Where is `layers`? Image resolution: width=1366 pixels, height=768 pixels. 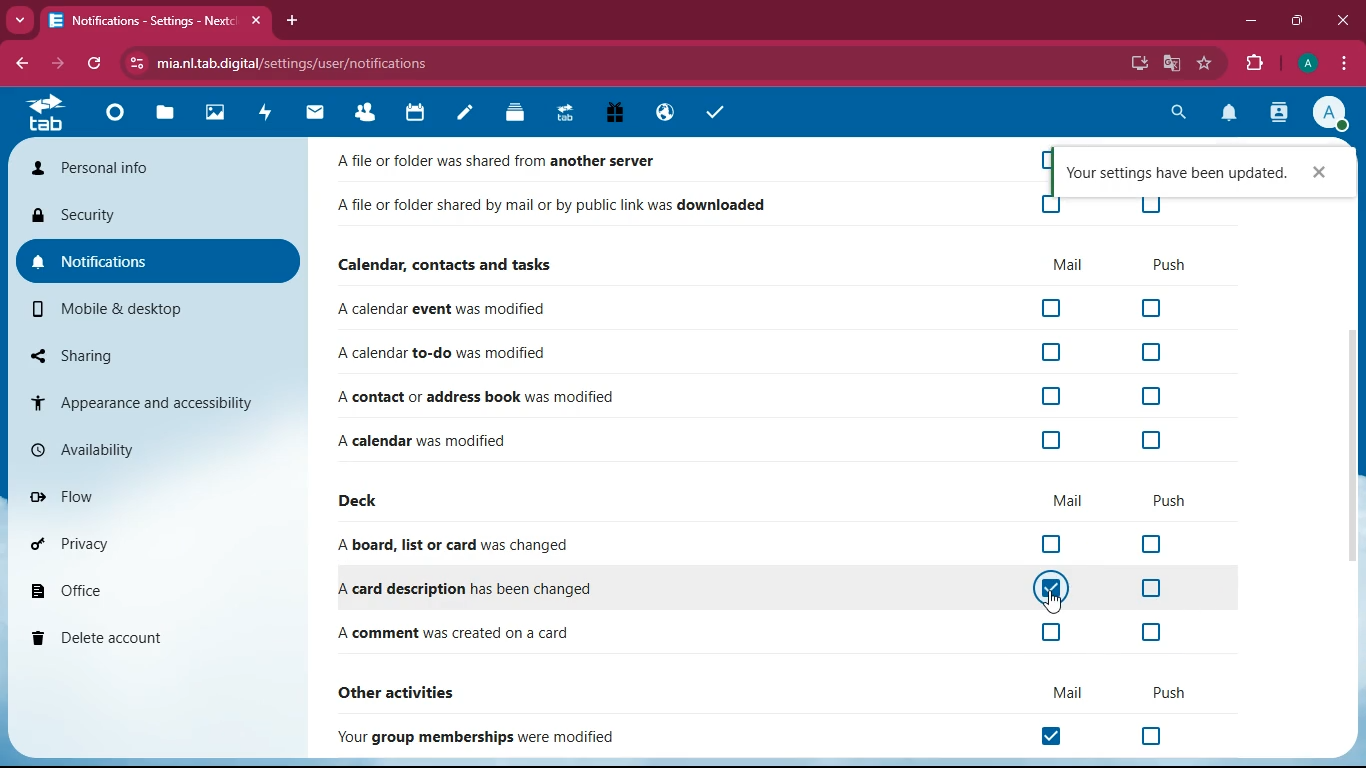
layers is located at coordinates (514, 113).